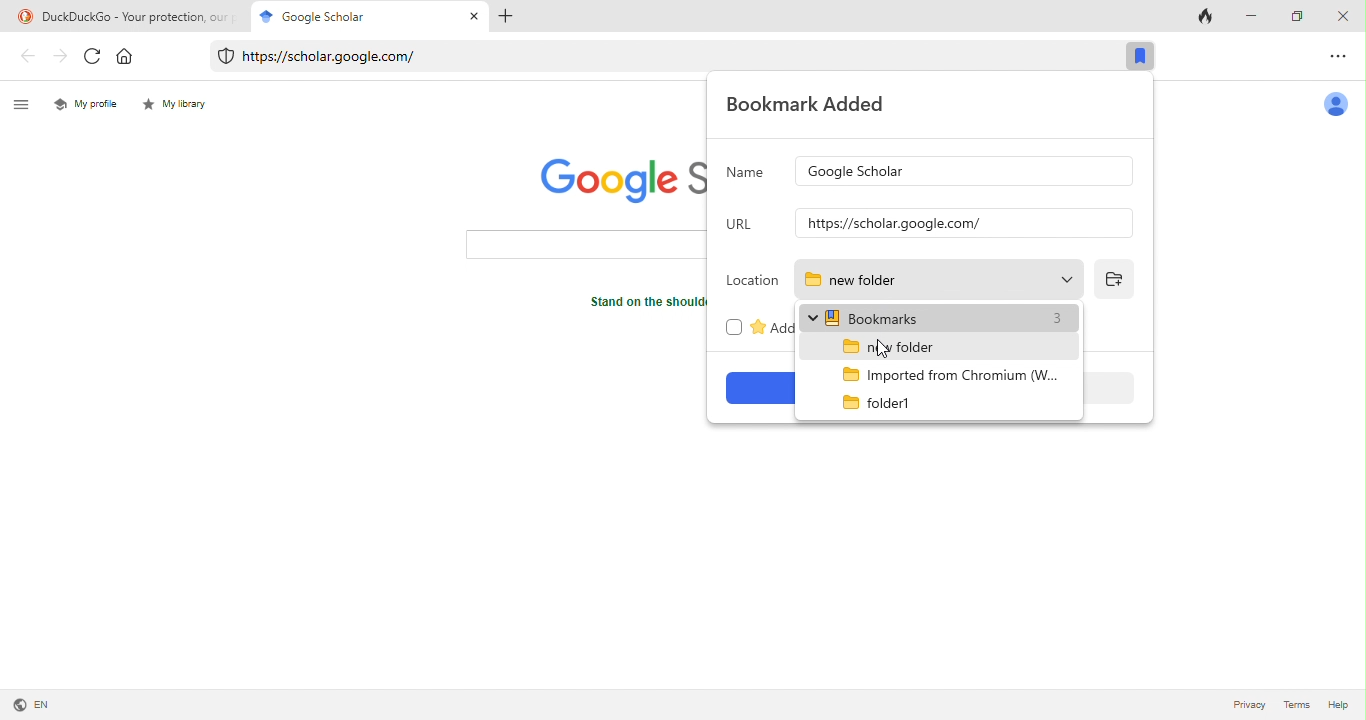 Image resolution: width=1366 pixels, height=720 pixels. I want to click on add tab, so click(508, 18).